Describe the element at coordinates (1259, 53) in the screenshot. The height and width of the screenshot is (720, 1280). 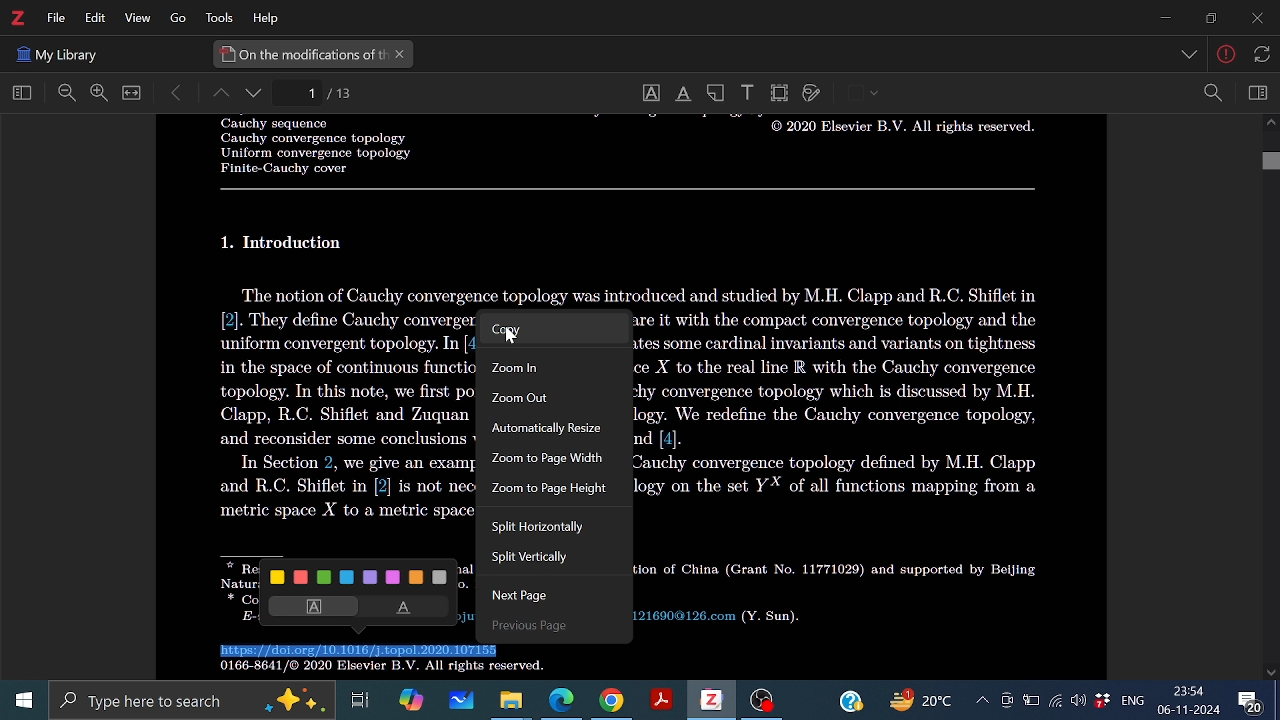
I see `` at that location.